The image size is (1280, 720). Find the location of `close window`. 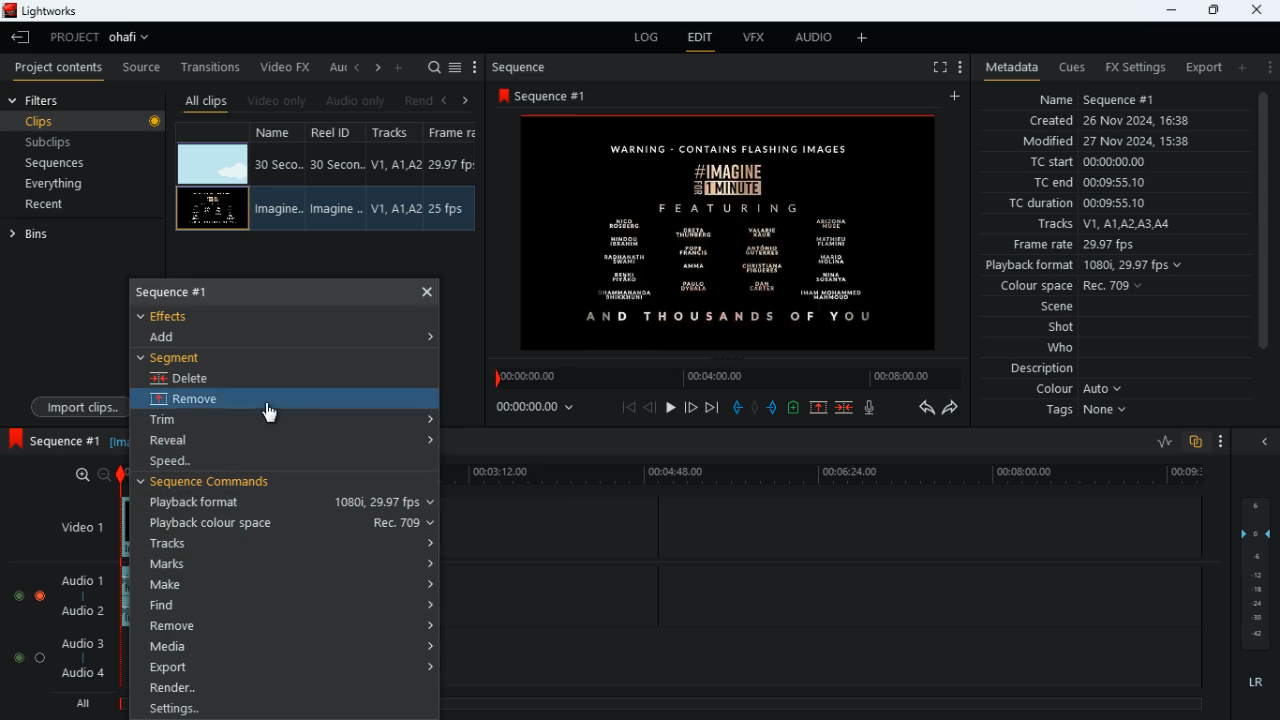

close window is located at coordinates (1258, 12).